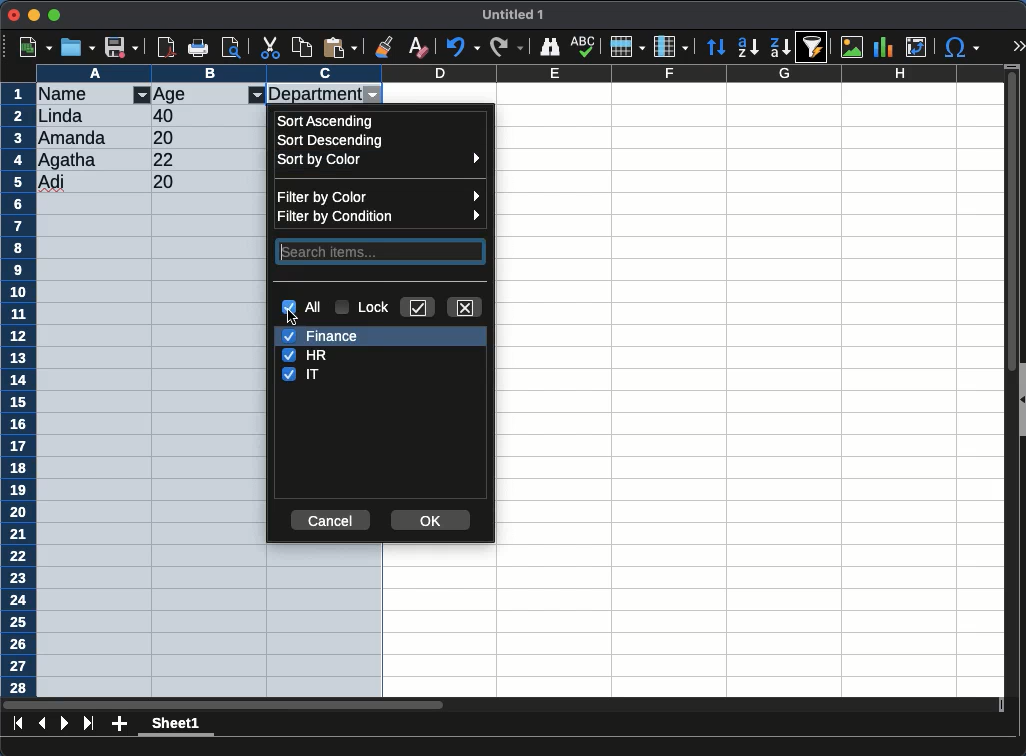 The width and height of the screenshot is (1026, 756). Describe the element at coordinates (916, 48) in the screenshot. I see `pivot table` at that location.